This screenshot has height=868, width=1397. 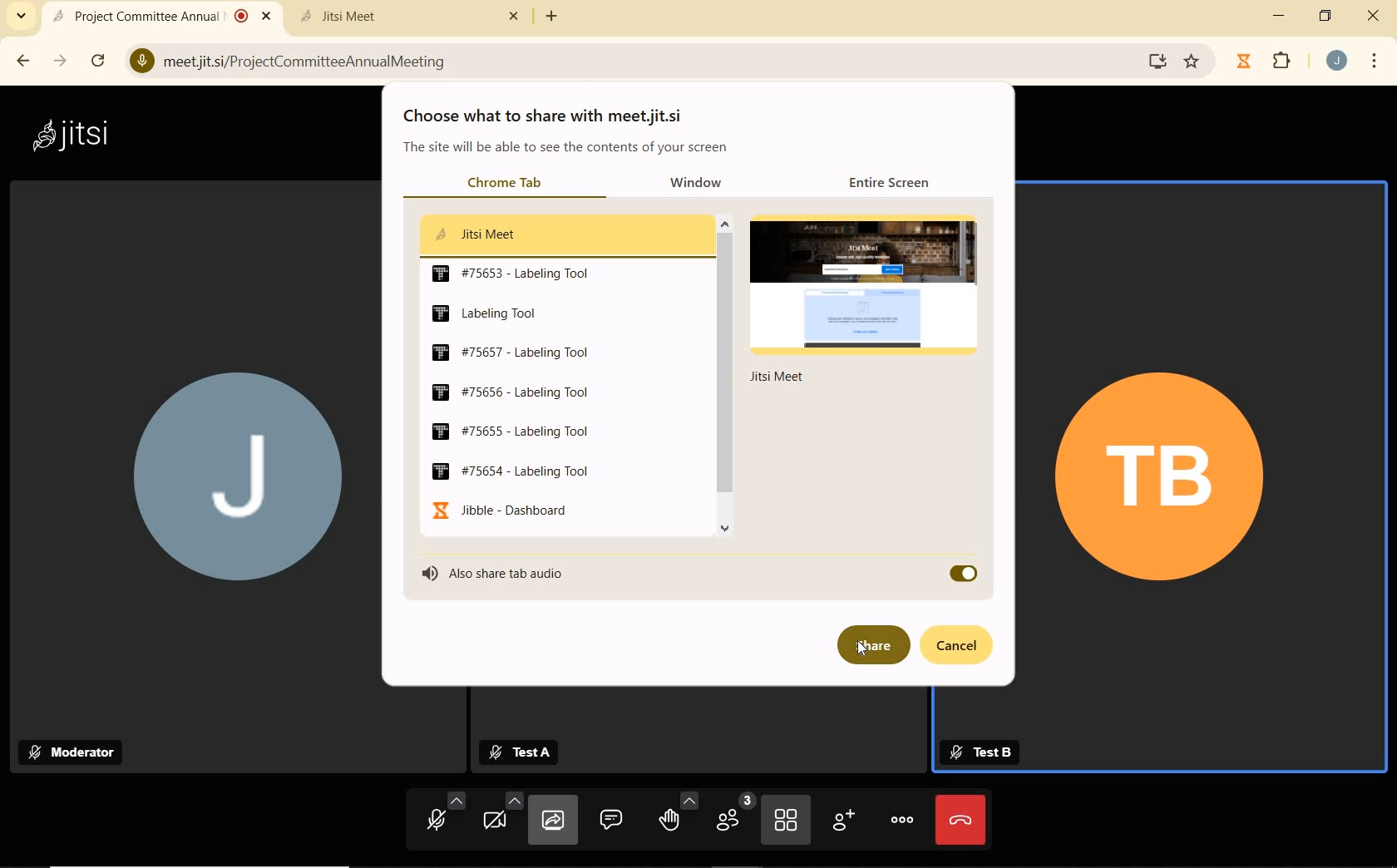 I want to click on Jitsi Meet, so click(x=473, y=233).